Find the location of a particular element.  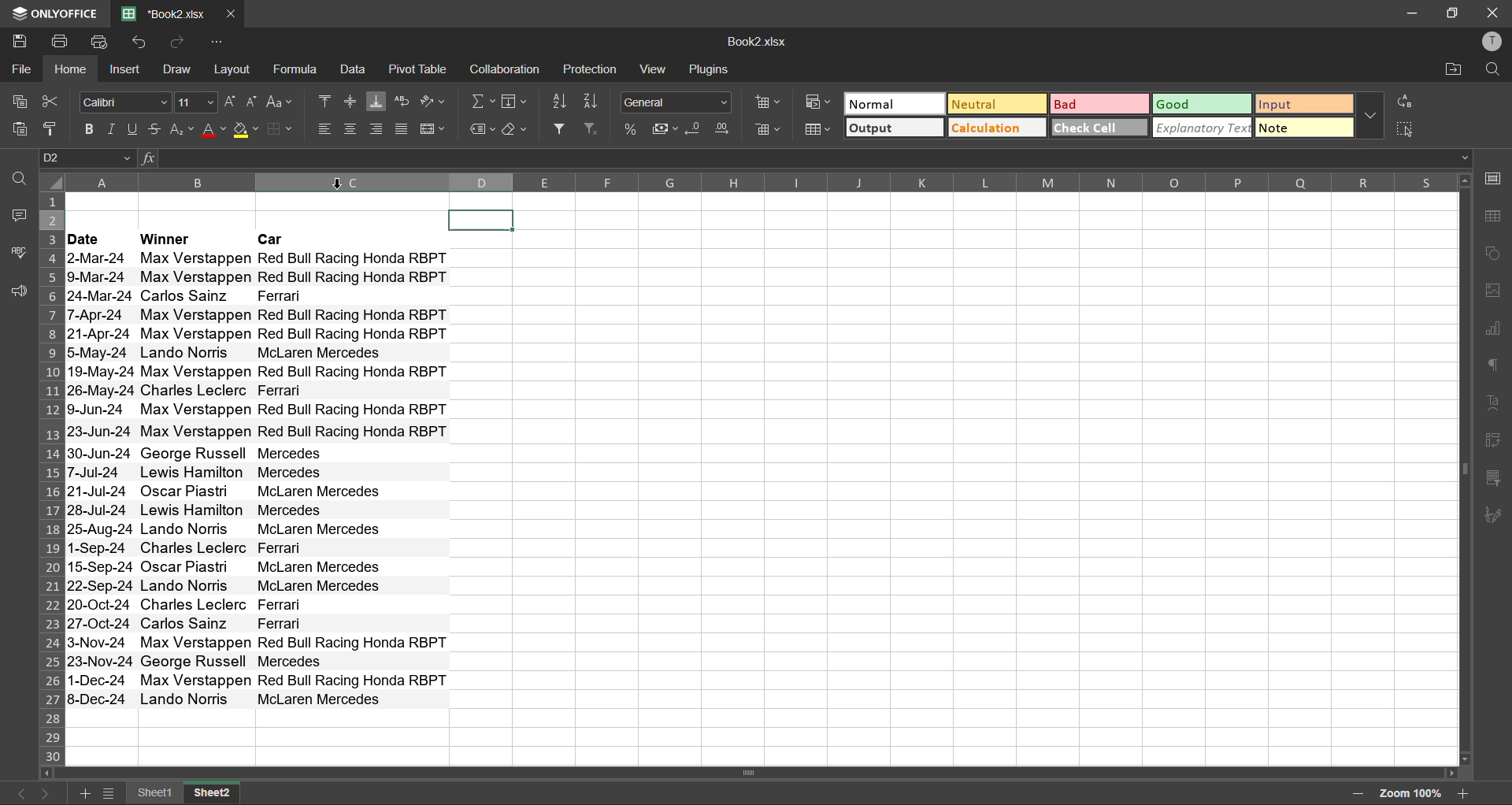

selected cell is located at coordinates (484, 219).